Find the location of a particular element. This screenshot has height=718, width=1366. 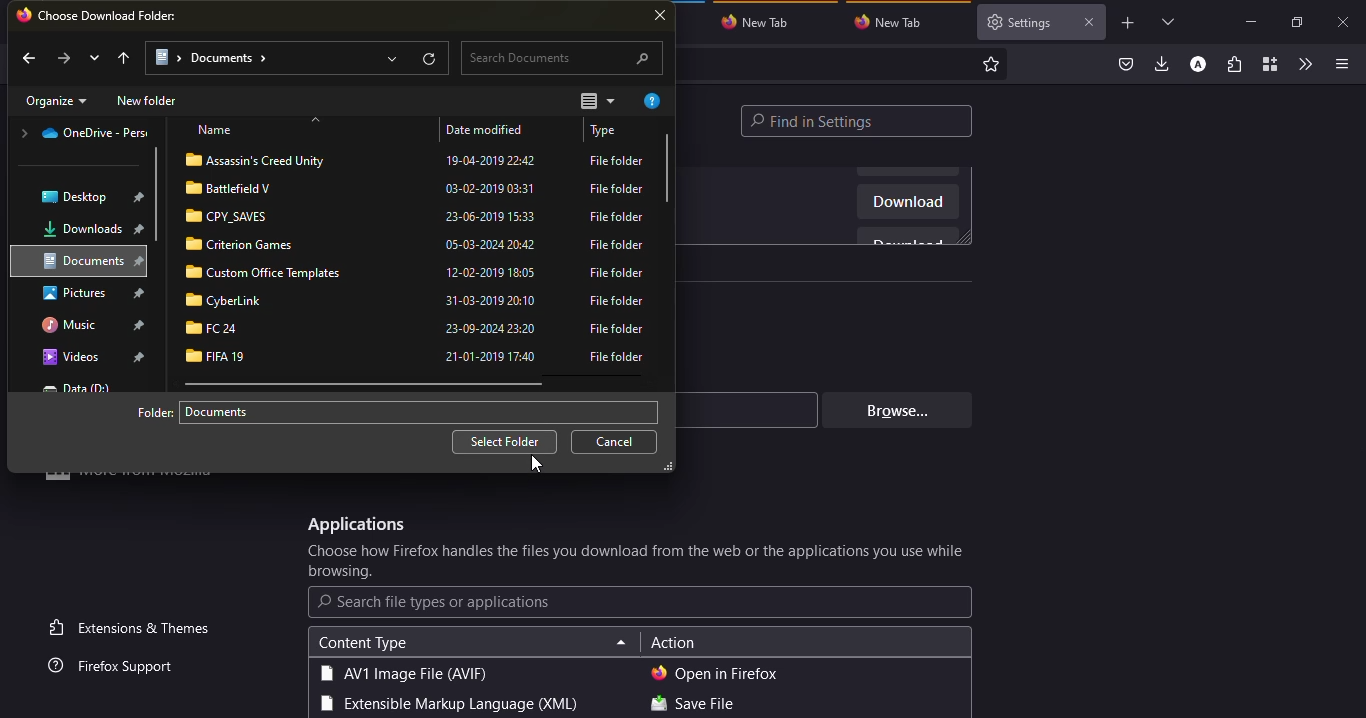

date modified is located at coordinates (491, 358).